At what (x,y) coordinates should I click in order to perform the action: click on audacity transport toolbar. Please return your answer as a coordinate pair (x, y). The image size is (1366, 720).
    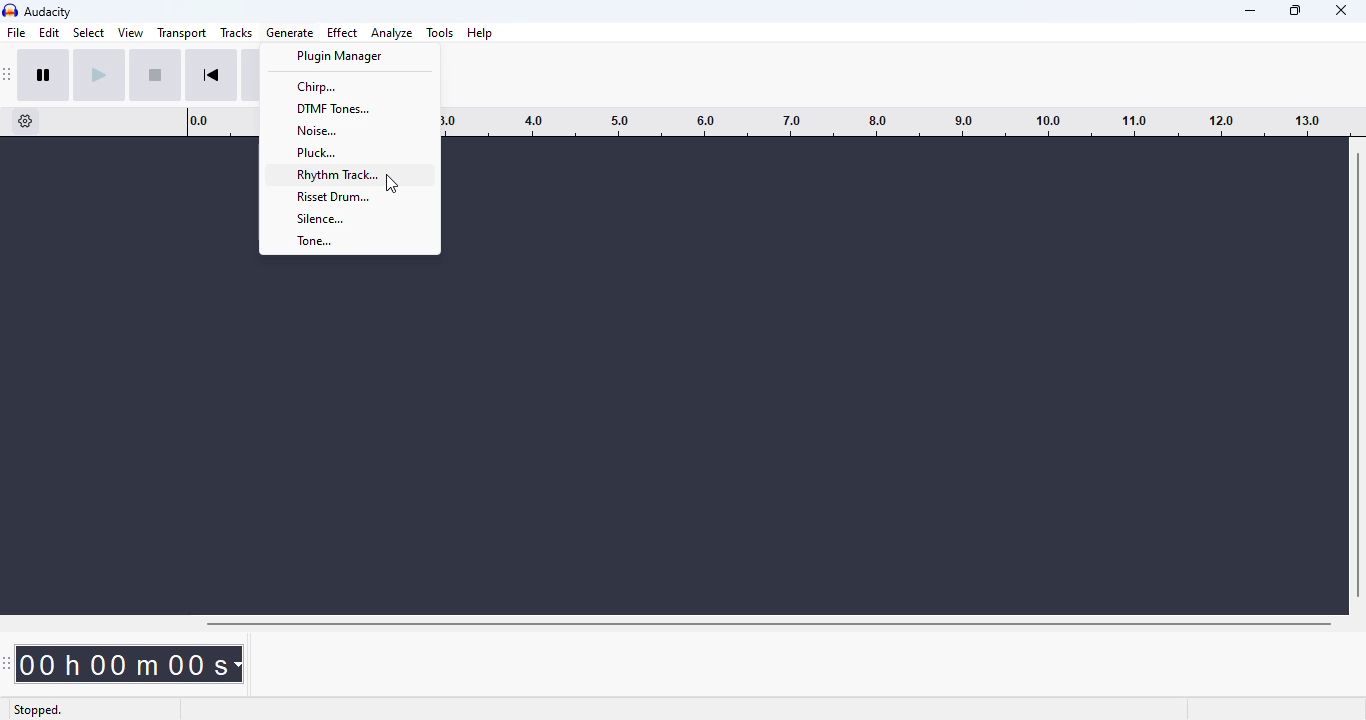
    Looking at the image, I should click on (8, 75).